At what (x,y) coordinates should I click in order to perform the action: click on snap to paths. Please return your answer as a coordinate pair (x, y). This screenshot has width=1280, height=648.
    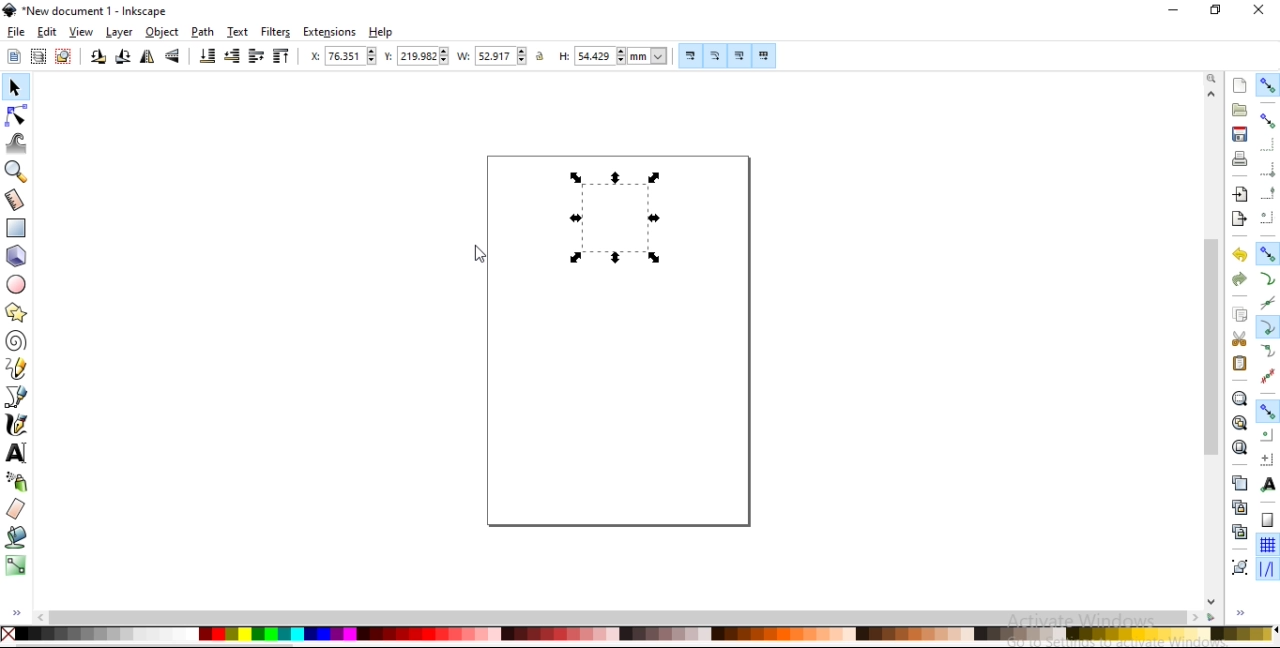
    Looking at the image, I should click on (1268, 277).